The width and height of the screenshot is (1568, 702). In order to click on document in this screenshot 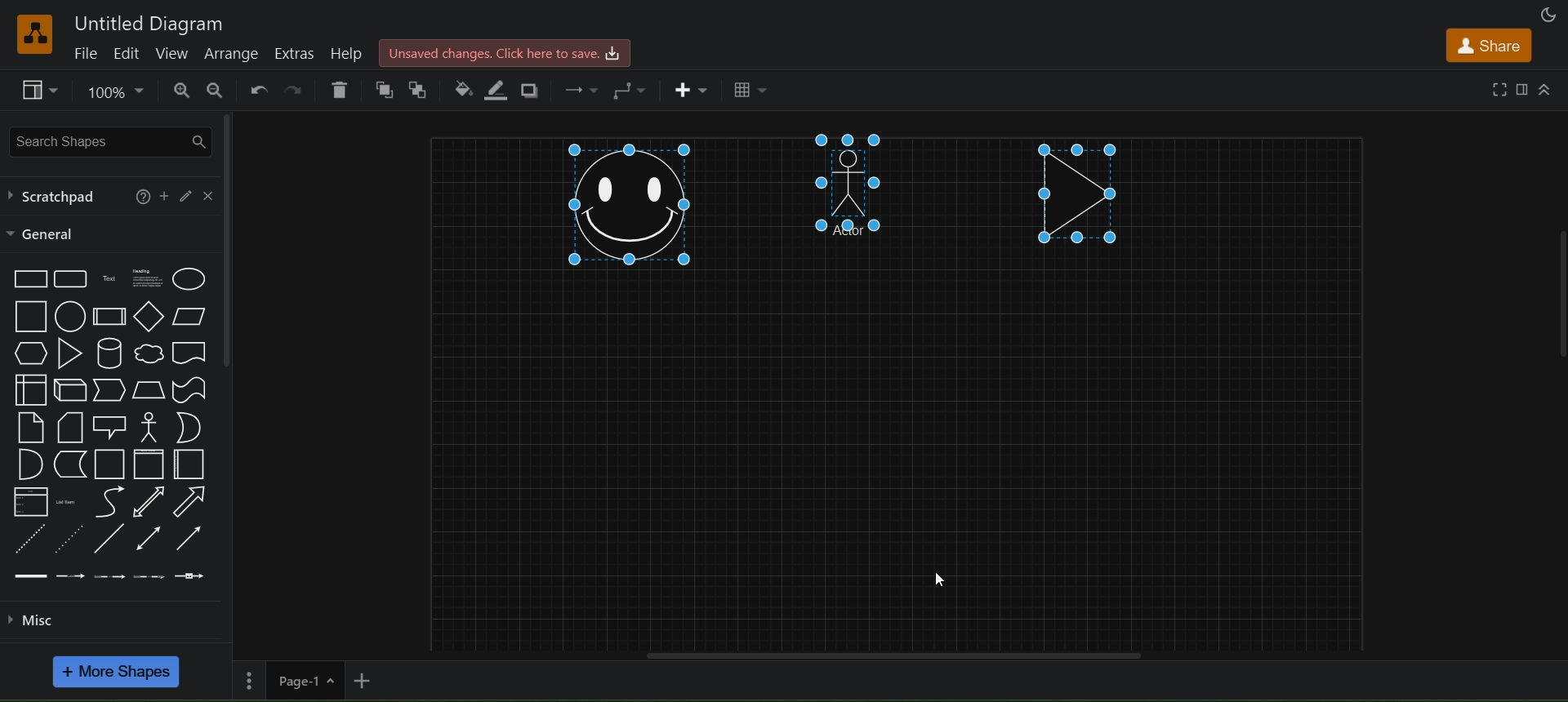, I will do `click(189, 353)`.